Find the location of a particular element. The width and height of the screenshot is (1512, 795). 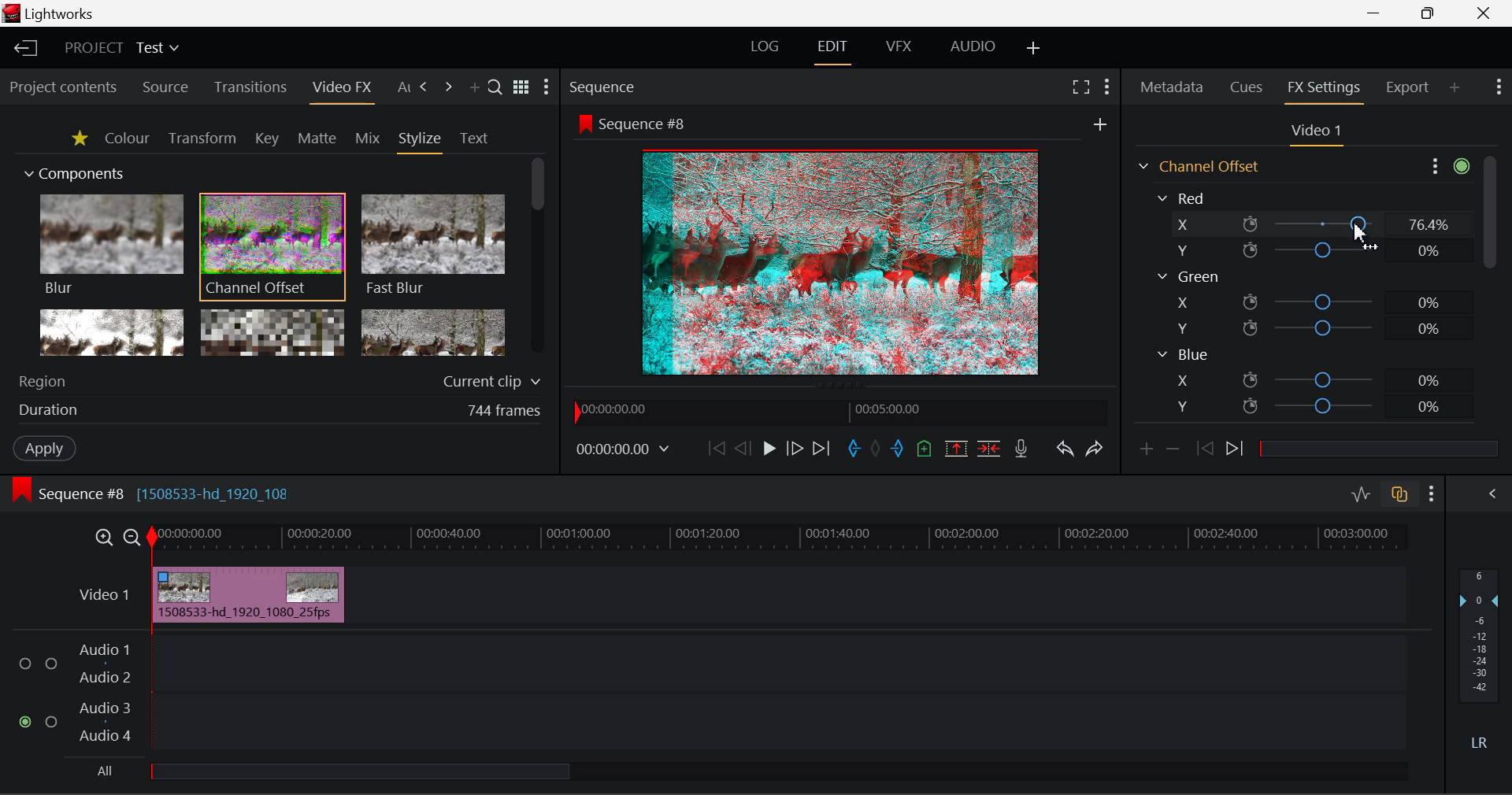

Search is located at coordinates (495, 87).